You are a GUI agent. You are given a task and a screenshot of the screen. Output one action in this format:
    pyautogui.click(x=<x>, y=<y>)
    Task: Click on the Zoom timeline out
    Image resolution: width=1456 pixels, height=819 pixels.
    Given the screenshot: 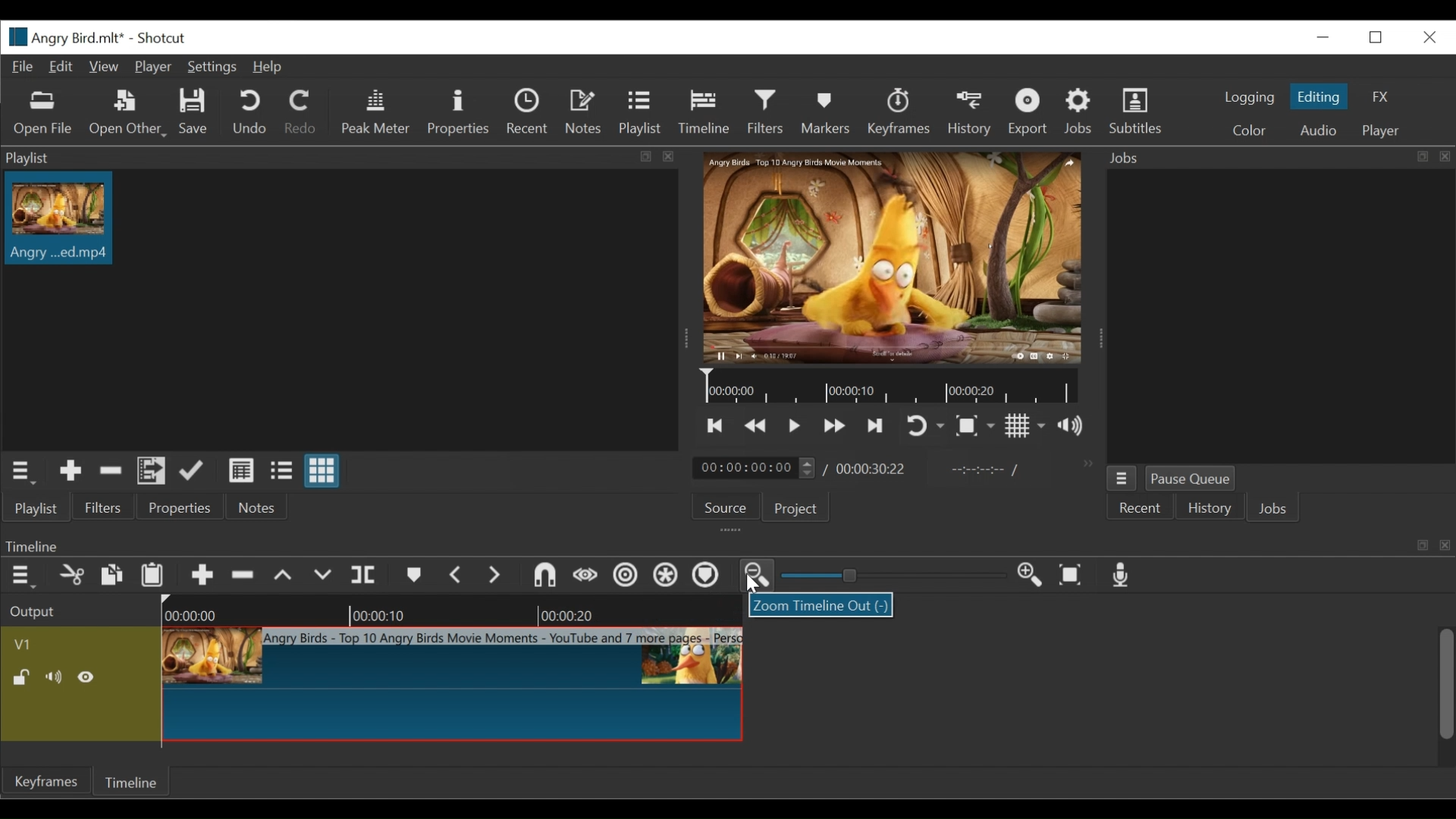 What is the action you would take?
    pyautogui.click(x=757, y=576)
    